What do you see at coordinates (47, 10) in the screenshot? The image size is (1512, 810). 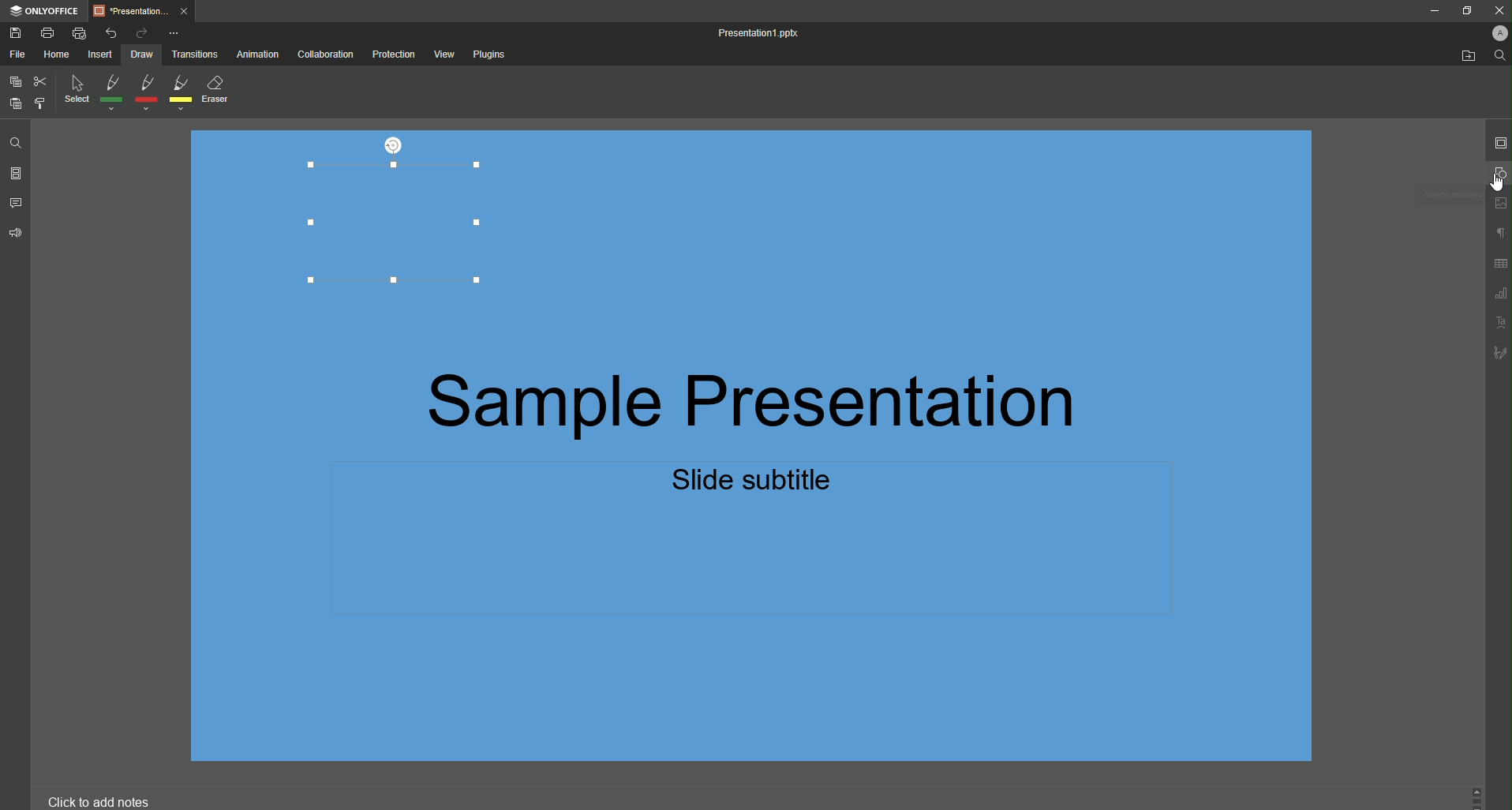 I see `ONLYOFFICE` at bounding box center [47, 10].